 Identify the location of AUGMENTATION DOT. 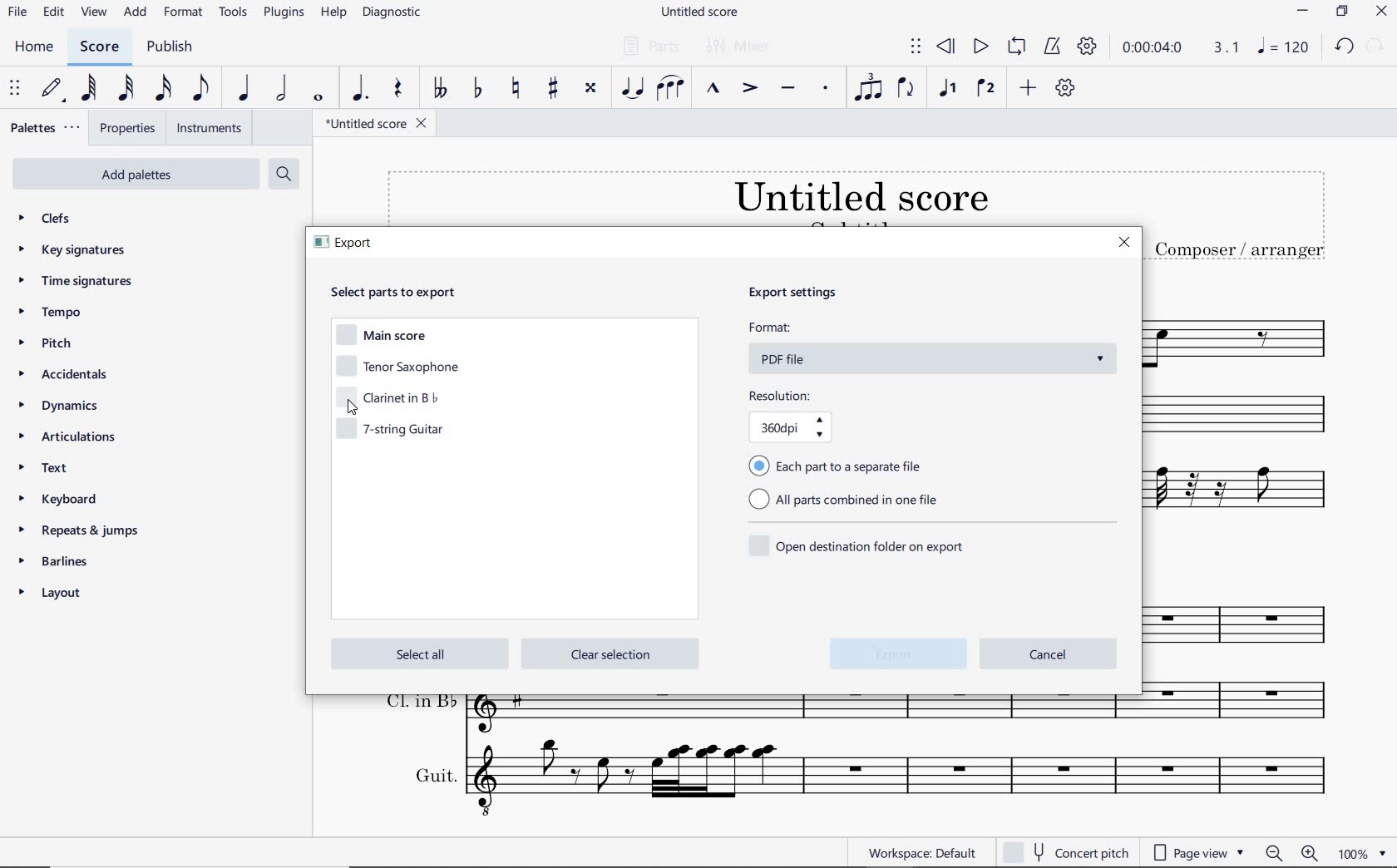
(360, 91).